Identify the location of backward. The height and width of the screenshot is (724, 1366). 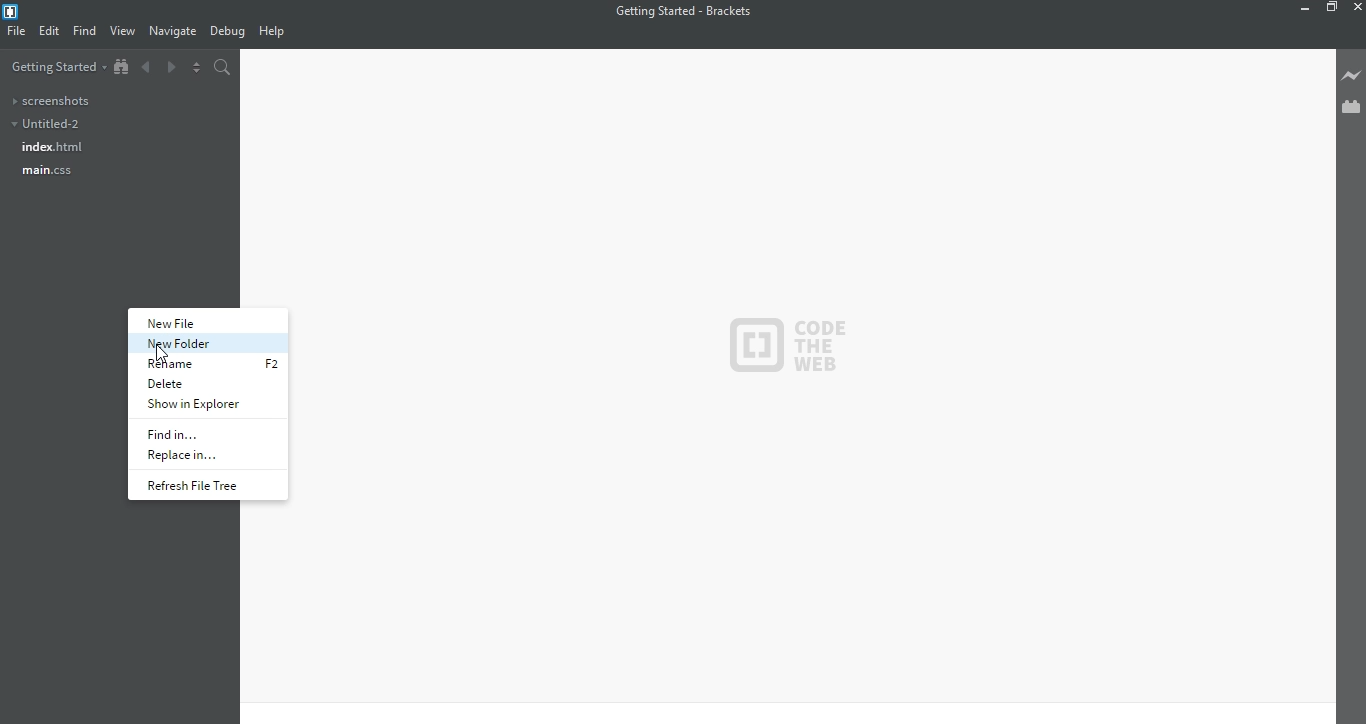
(146, 68).